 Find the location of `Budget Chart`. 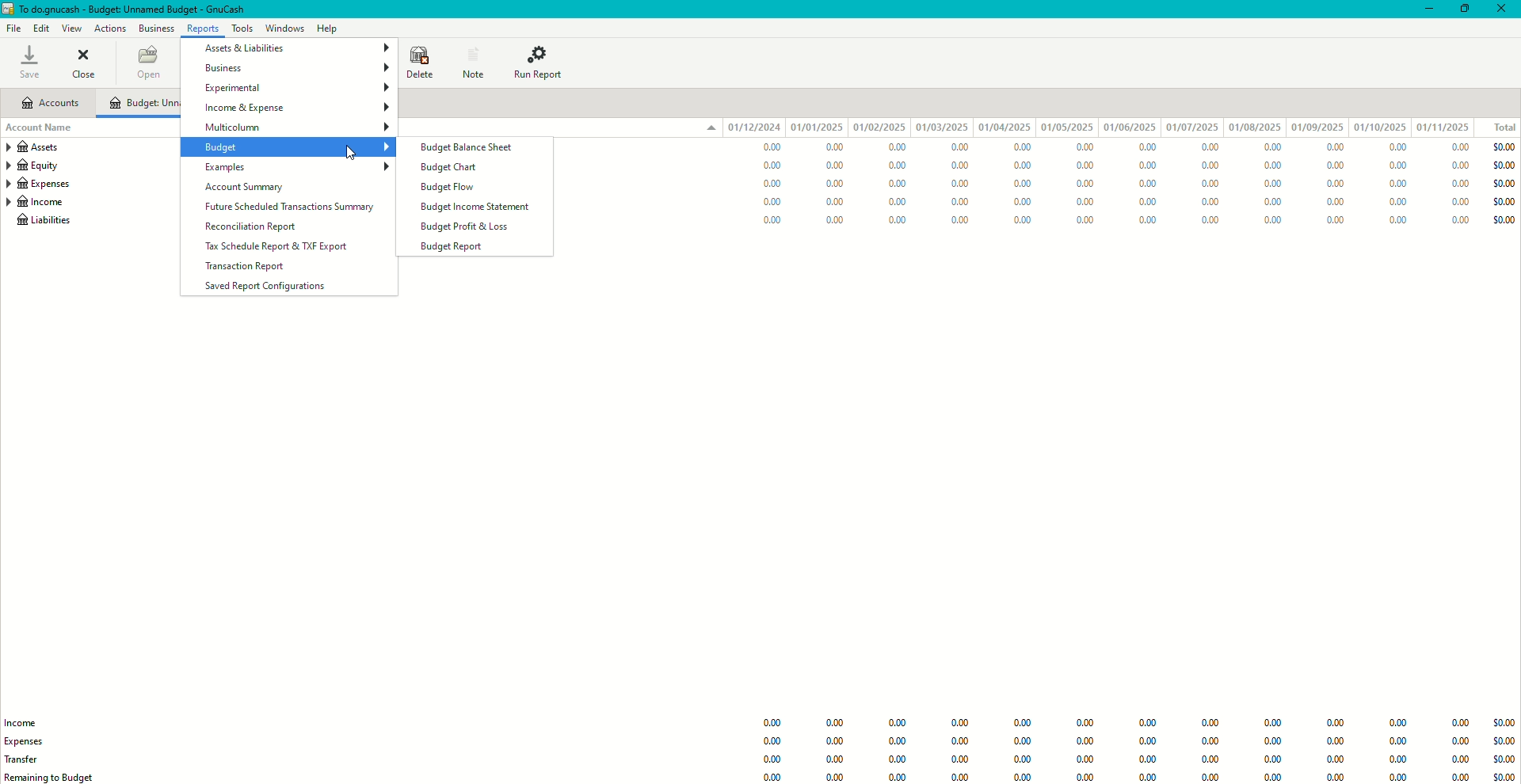

Budget Chart is located at coordinates (450, 167).